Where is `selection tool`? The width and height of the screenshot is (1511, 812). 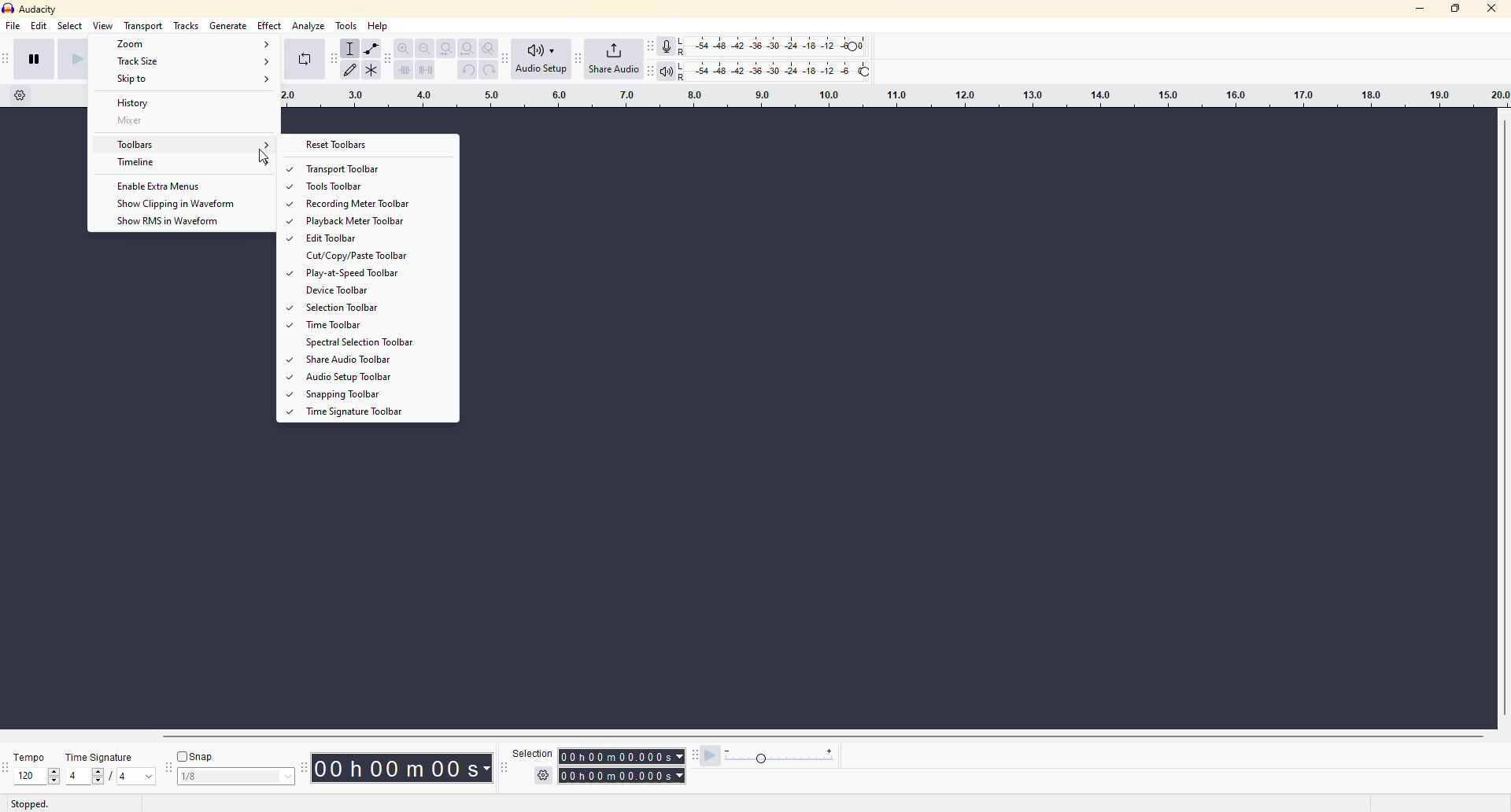 selection tool is located at coordinates (351, 49).